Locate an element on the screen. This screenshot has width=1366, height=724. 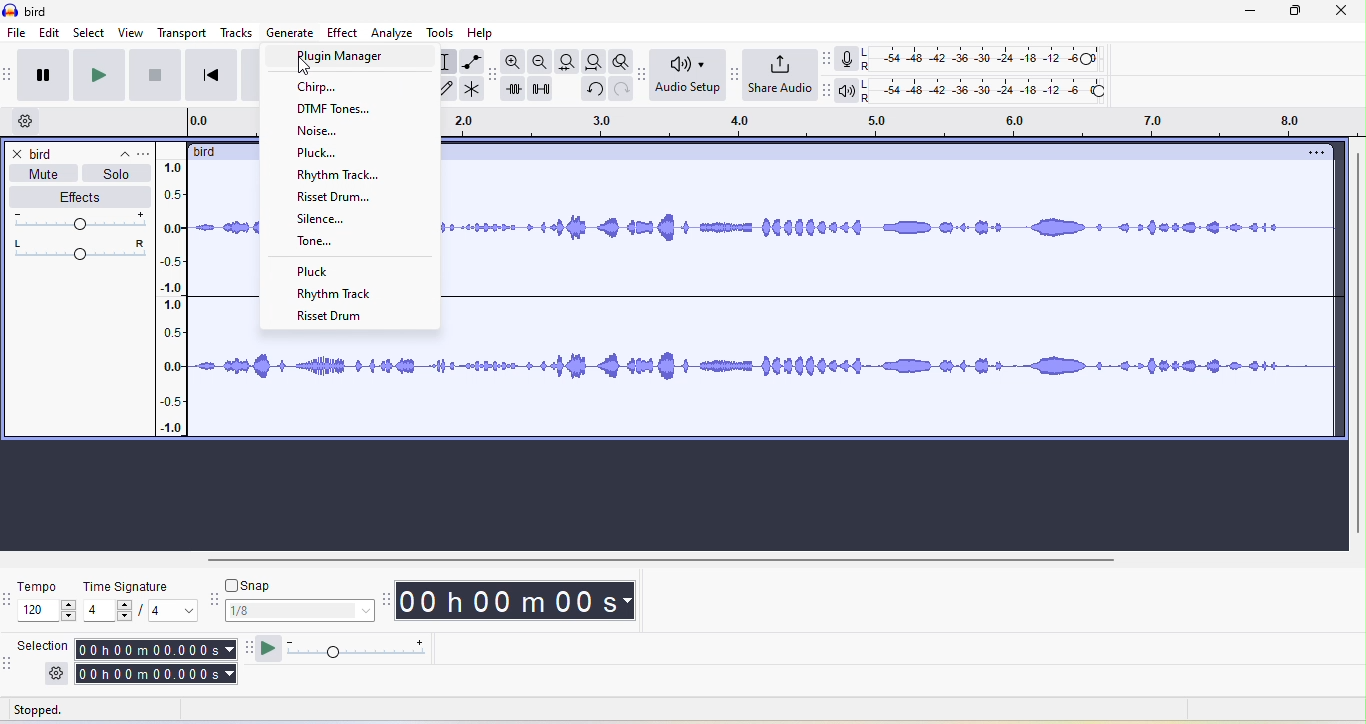
horizontal scroll bar is located at coordinates (660, 560).